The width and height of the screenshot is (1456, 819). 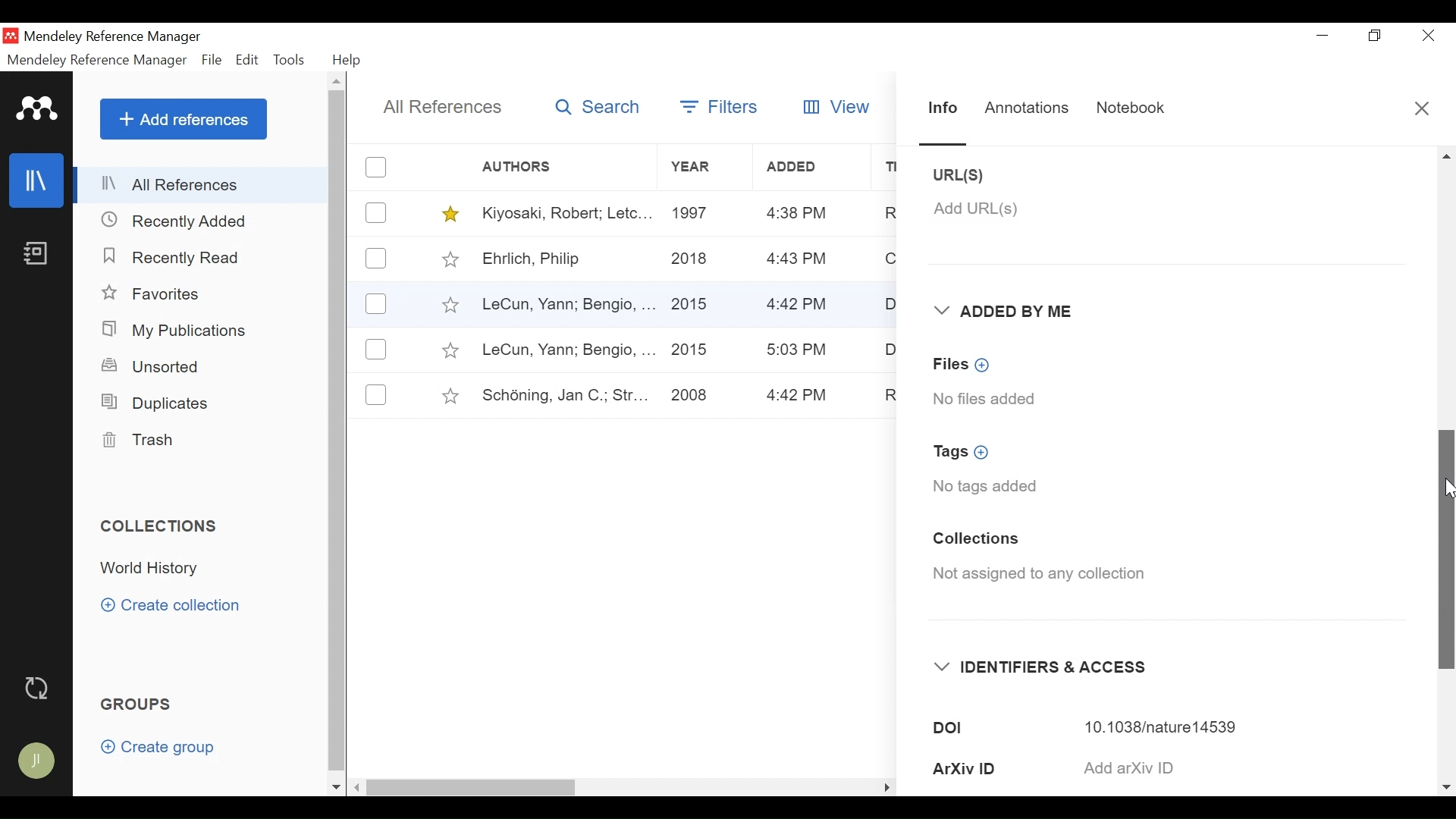 What do you see at coordinates (886, 784) in the screenshot?
I see `Hide` at bounding box center [886, 784].